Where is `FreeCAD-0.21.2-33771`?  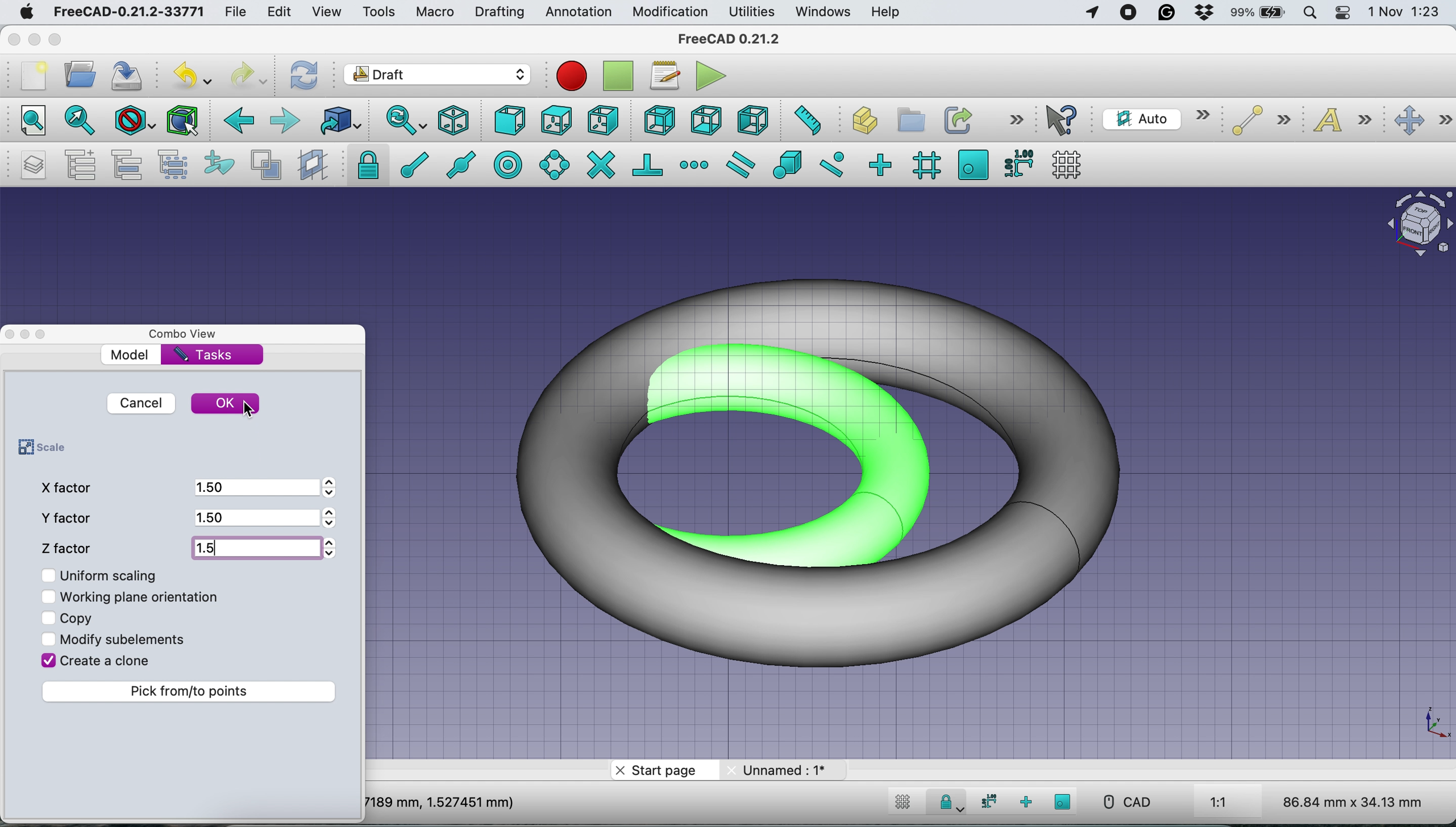 FreeCAD-0.21.2-33771 is located at coordinates (130, 11).